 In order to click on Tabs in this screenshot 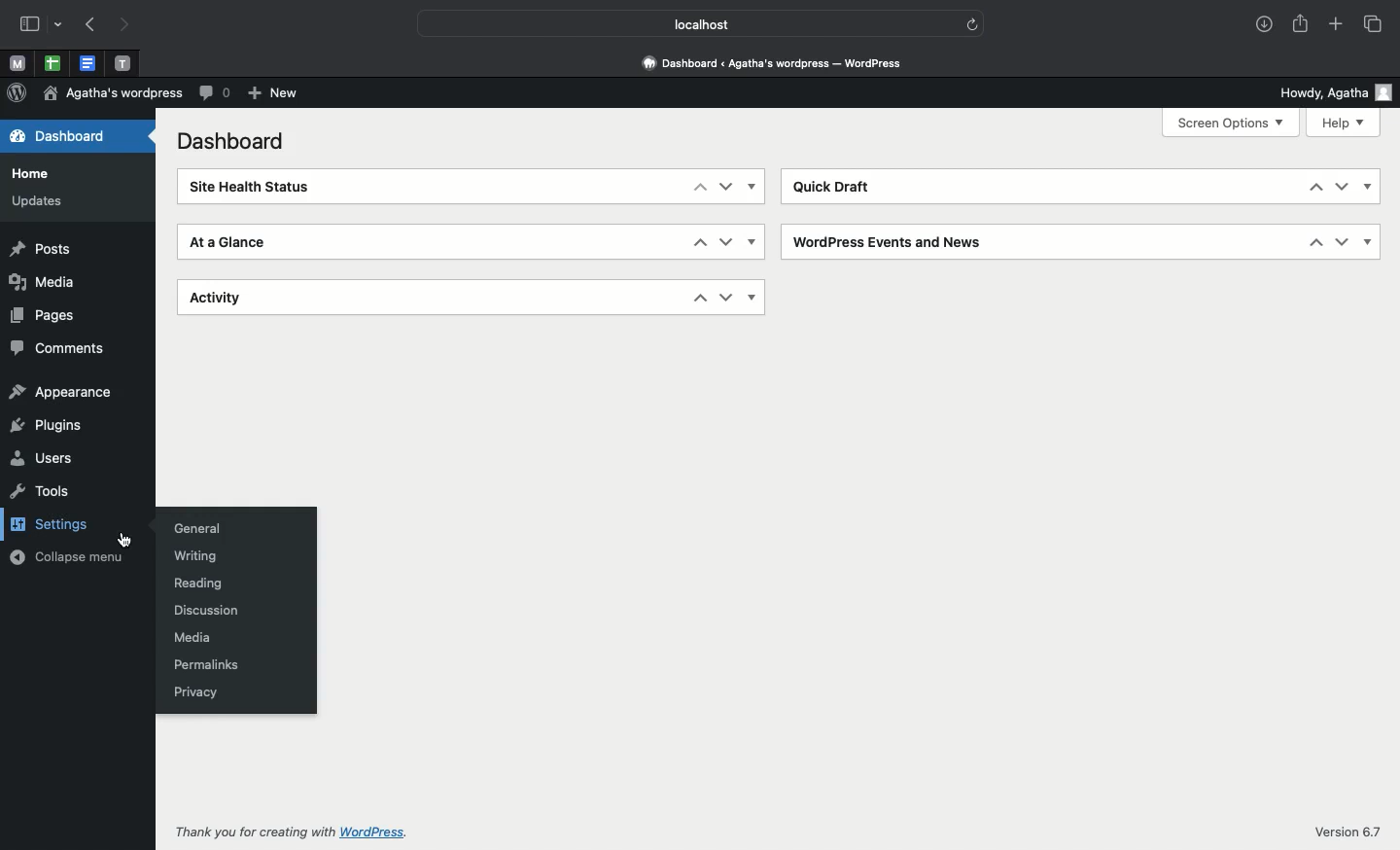, I will do `click(1366, 25)`.